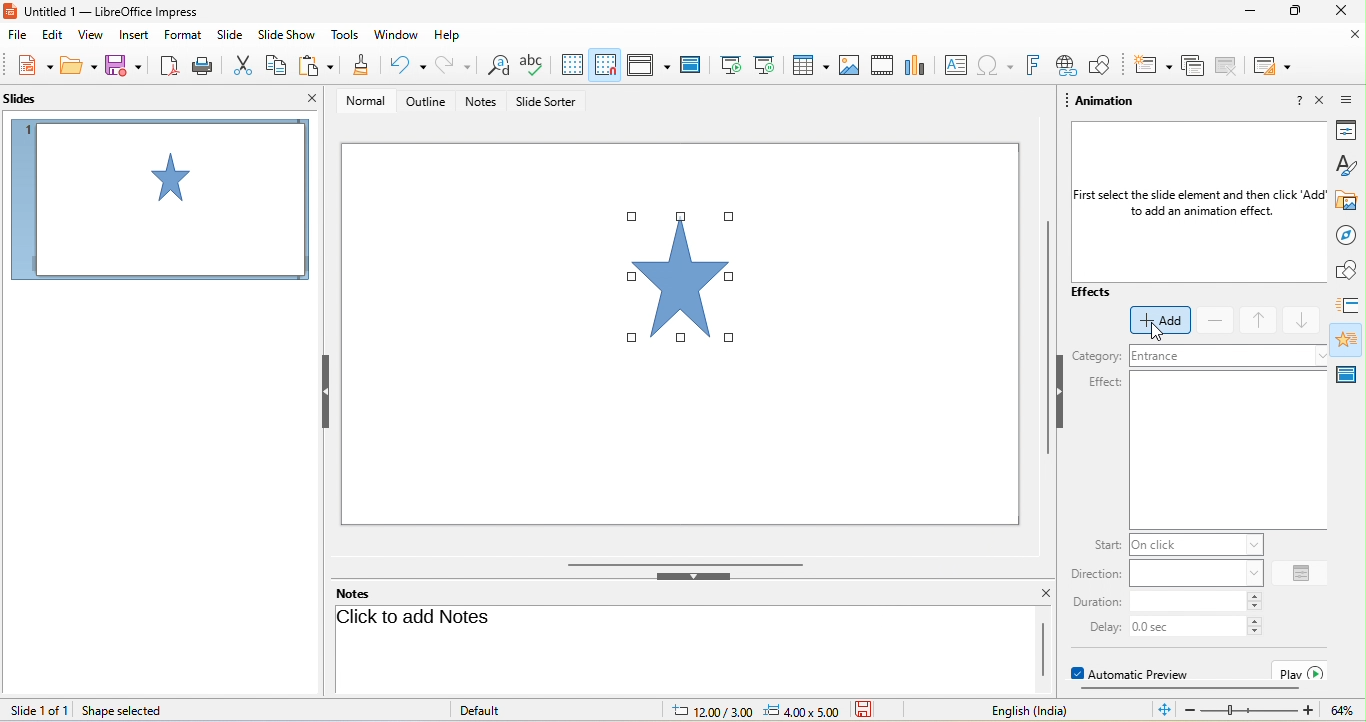  Describe the element at coordinates (1228, 356) in the screenshot. I see `input category.(current category entrance)` at that location.